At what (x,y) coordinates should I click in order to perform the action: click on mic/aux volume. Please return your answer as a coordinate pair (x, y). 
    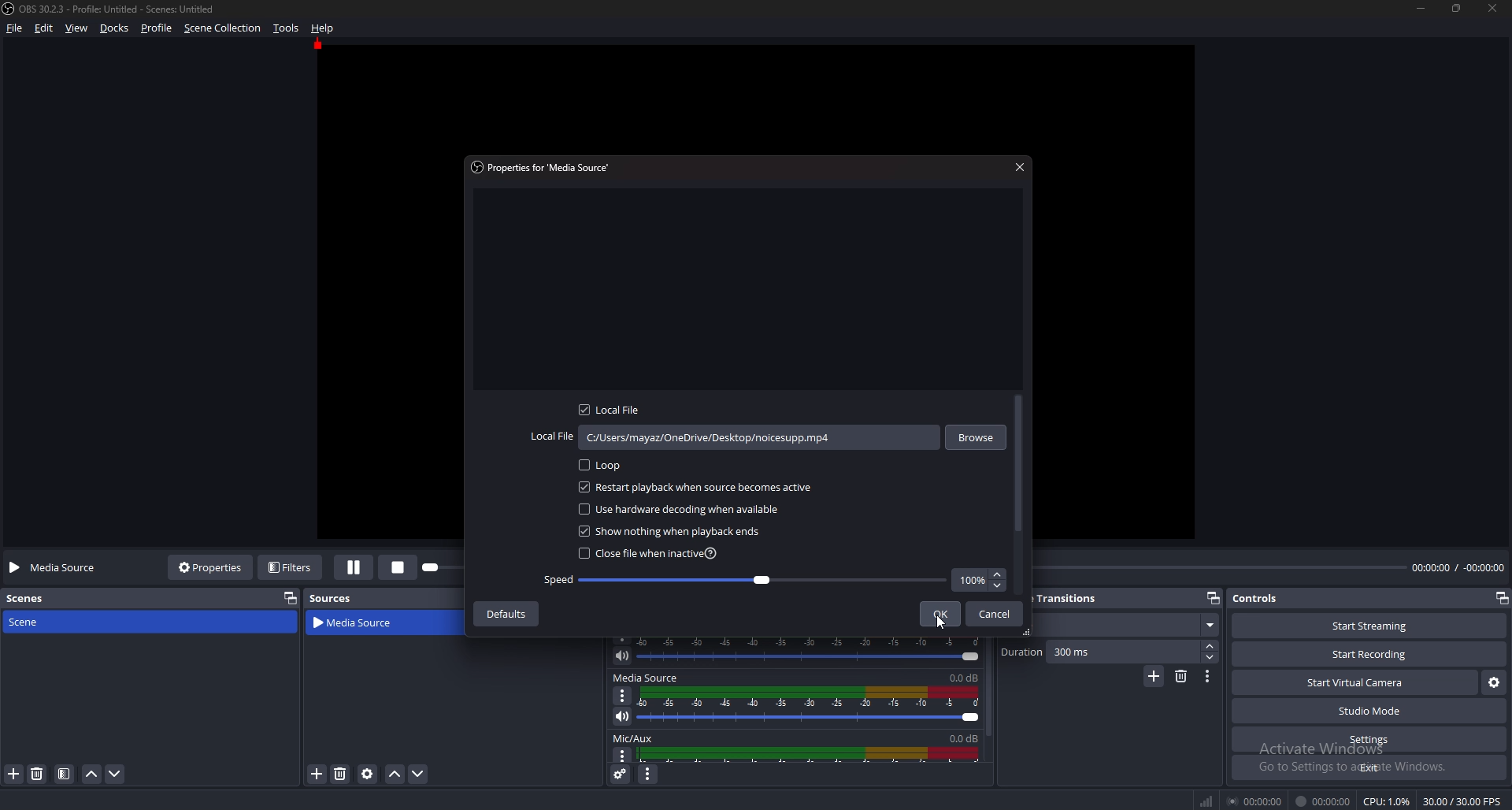
    Looking at the image, I should click on (813, 754).